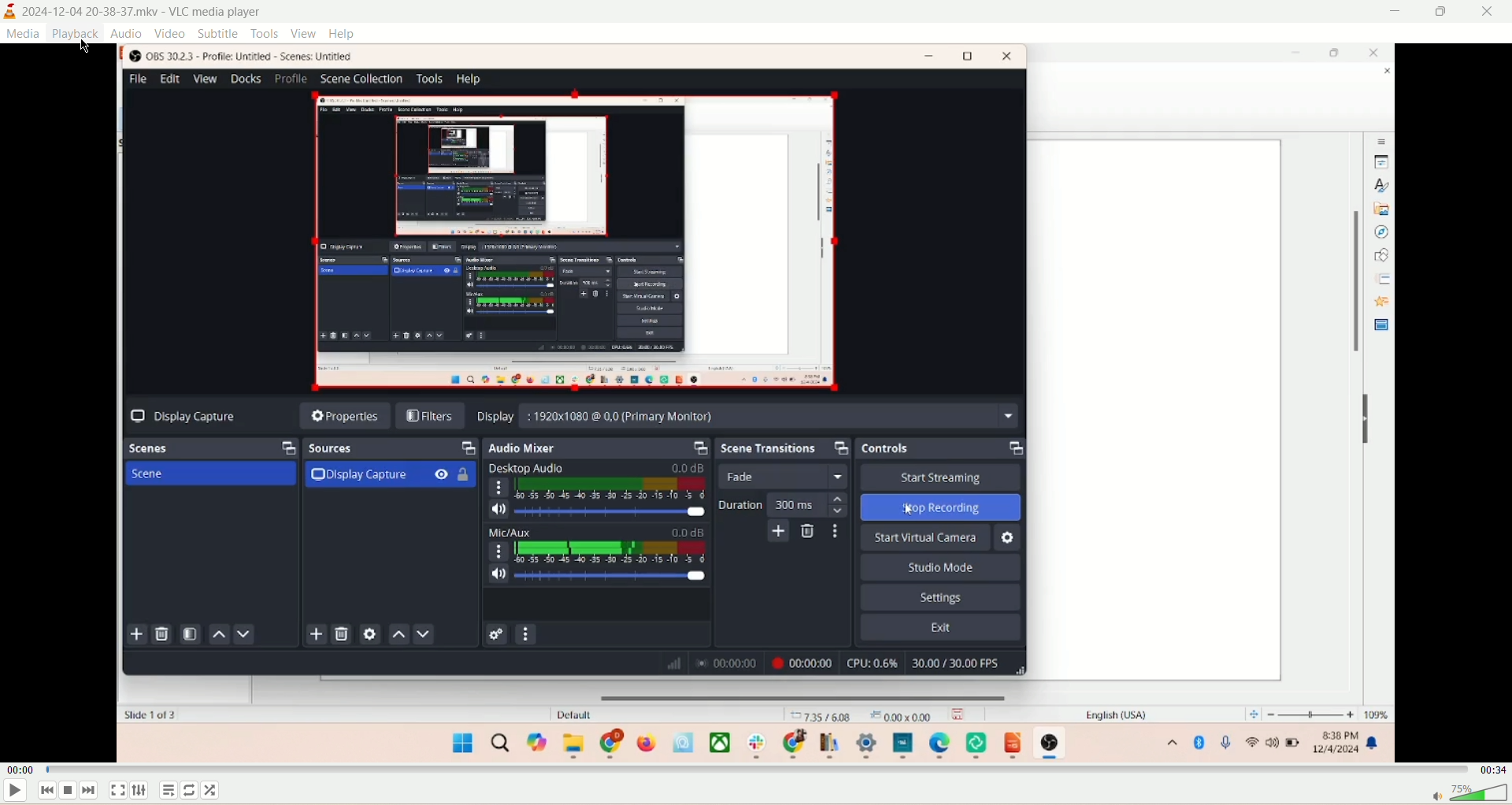 This screenshot has width=1512, height=805. Describe the element at coordinates (20, 769) in the screenshot. I see `played time` at that location.